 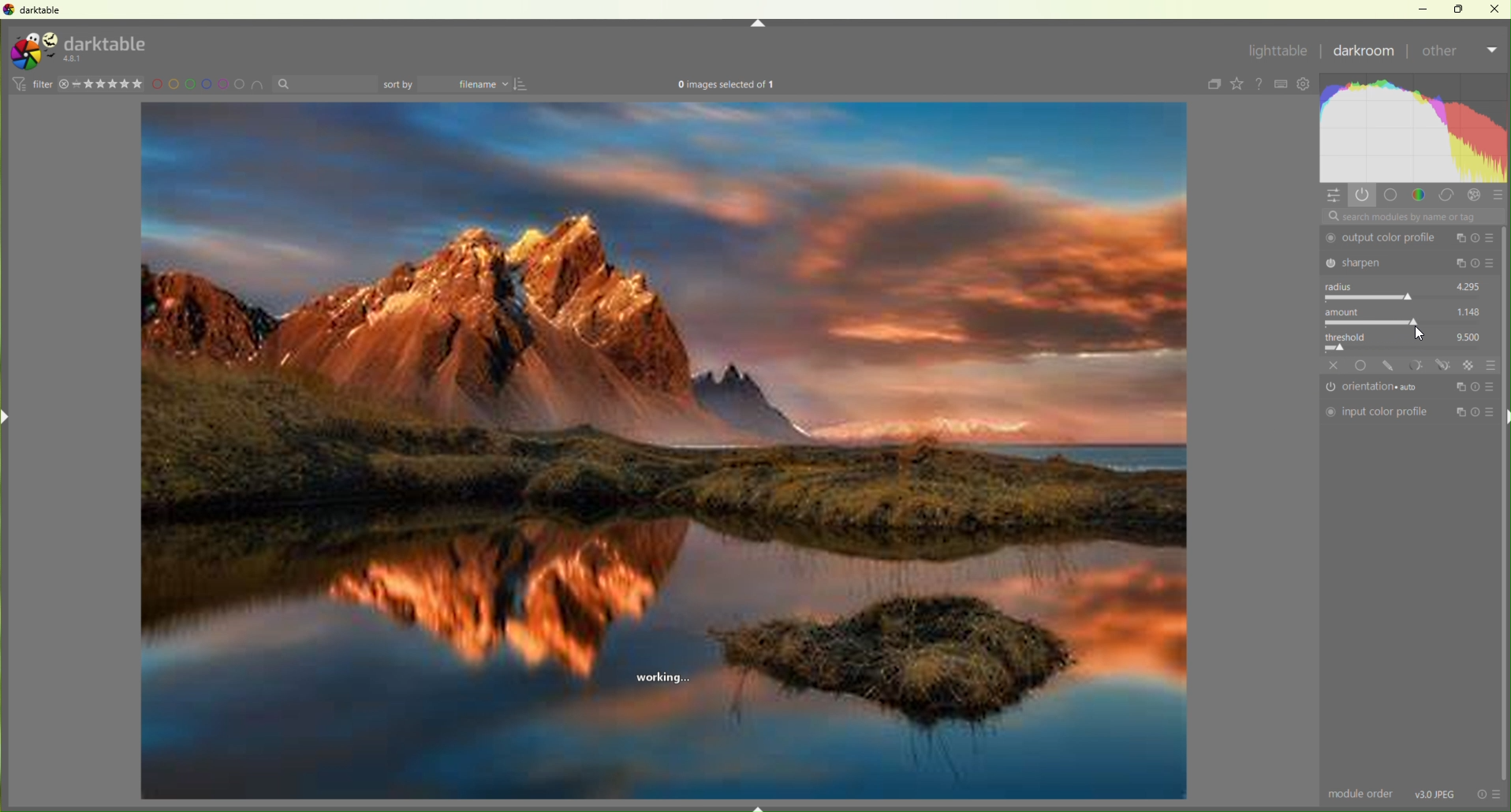 What do you see at coordinates (758, 24) in the screenshot?
I see `Collapse ` at bounding box center [758, 24].